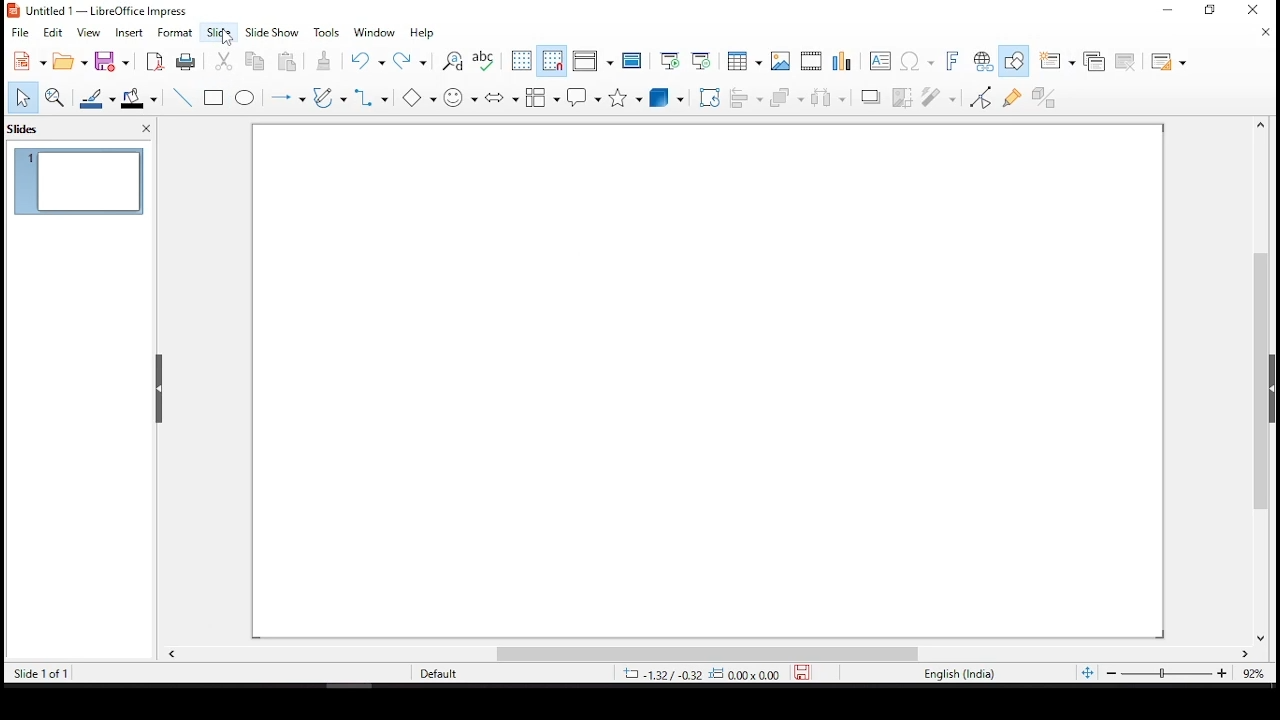 The width and height of the screenshot is (1280, 720). Describe the element at coordinates (372, 98) in the screenshot. I see `connectors` at that location.